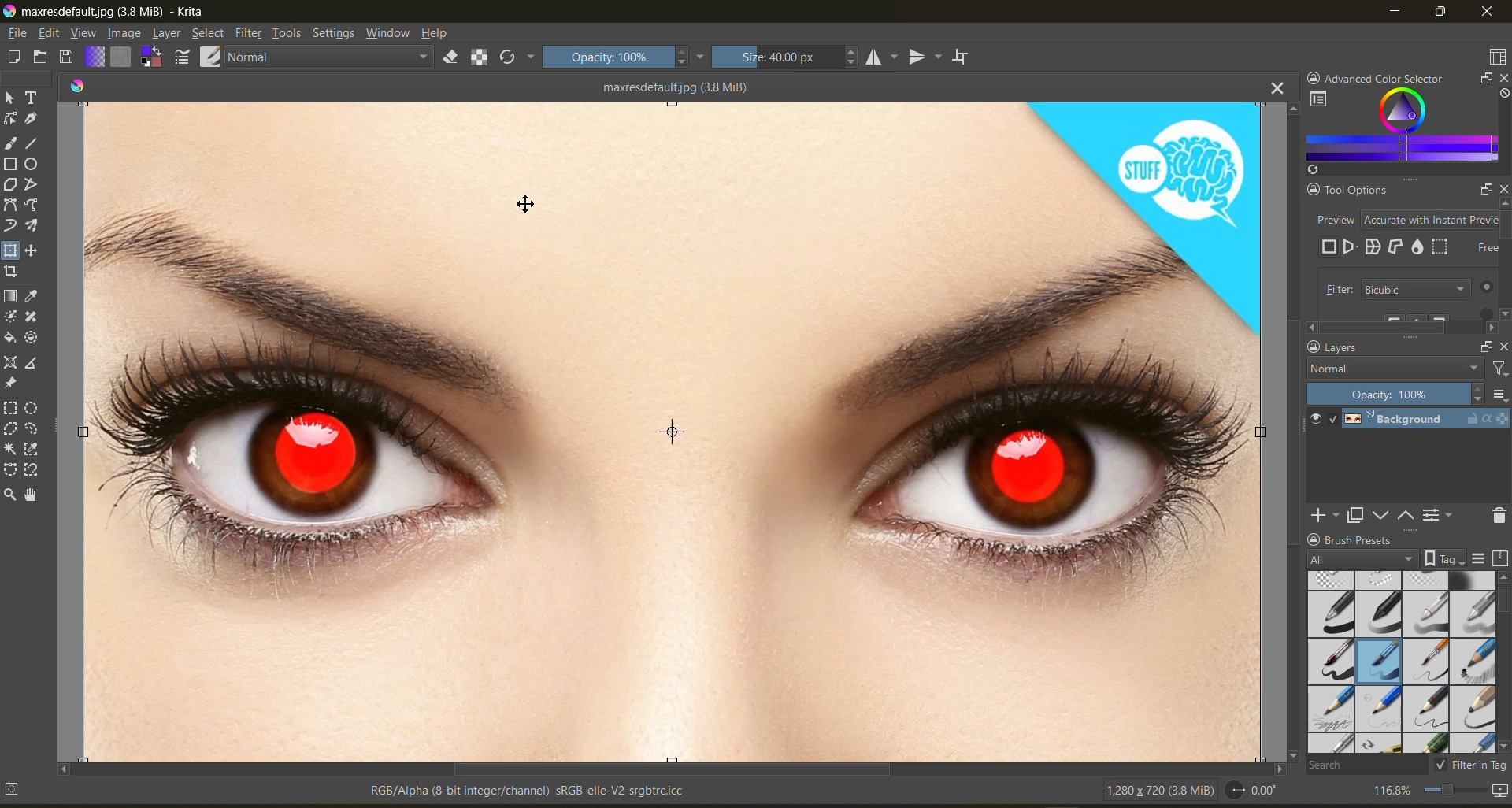  Describe the element at coordinates (1499, 558) in the screenshot. I see `storage resources` at that location.